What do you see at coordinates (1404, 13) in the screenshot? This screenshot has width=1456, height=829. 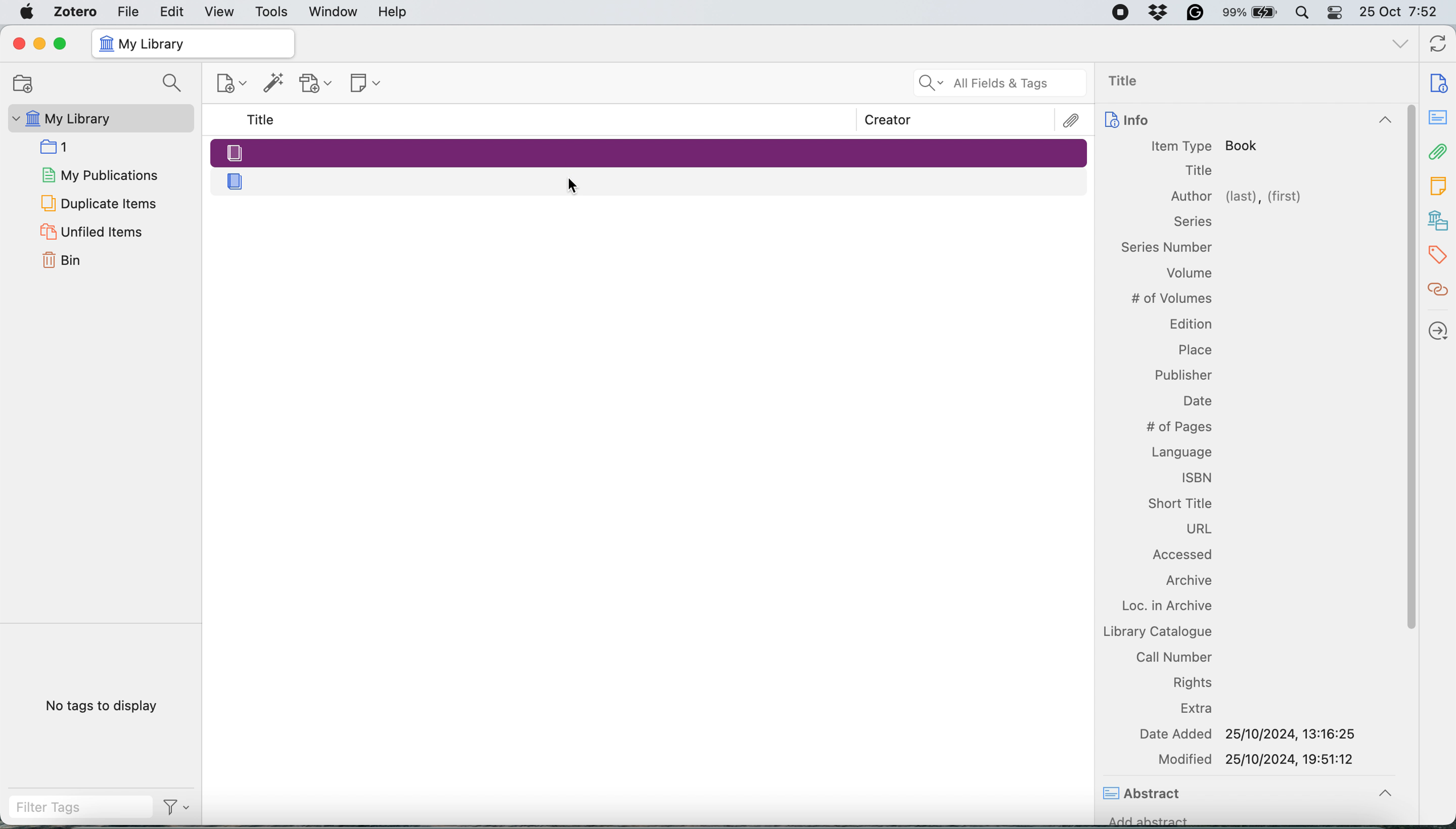 I see `25 Oct 7:52` at bounding box center [1404, 13].